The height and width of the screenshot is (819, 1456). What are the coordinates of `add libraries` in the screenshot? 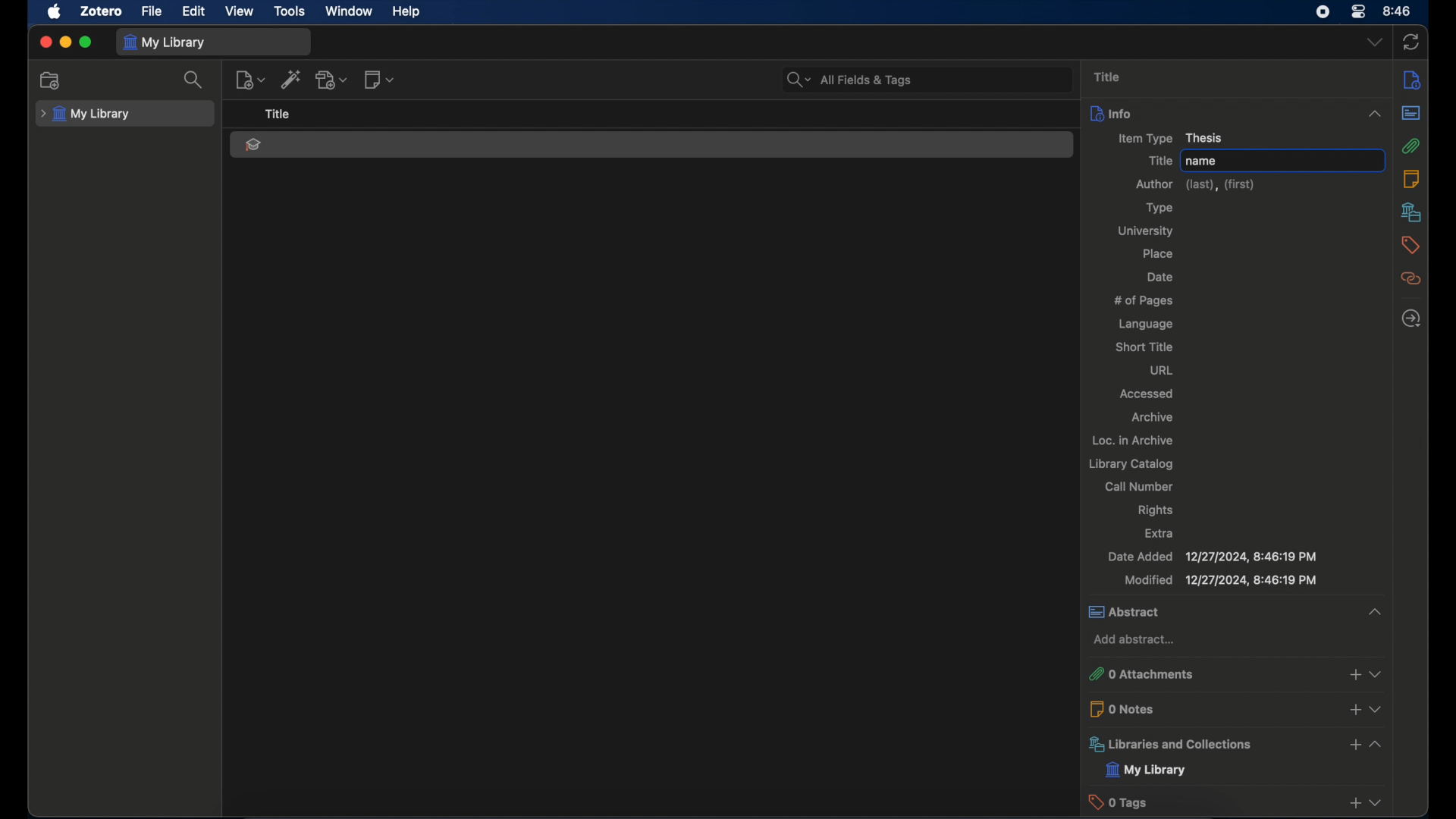 It's located at (1353, 745).